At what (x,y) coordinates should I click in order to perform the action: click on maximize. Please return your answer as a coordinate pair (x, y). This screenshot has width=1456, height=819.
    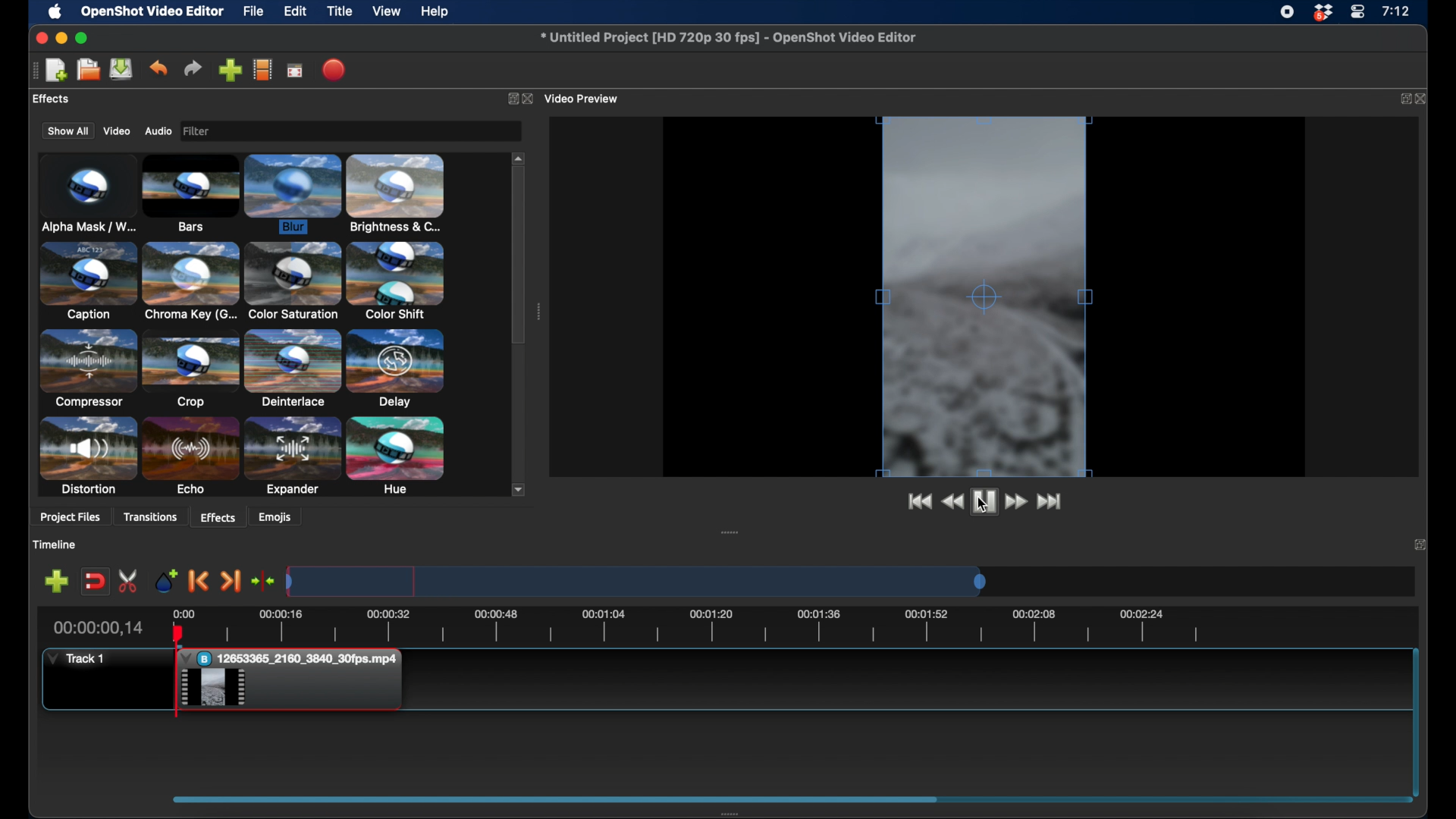
    Looking at the image, I should click on (83, 39).